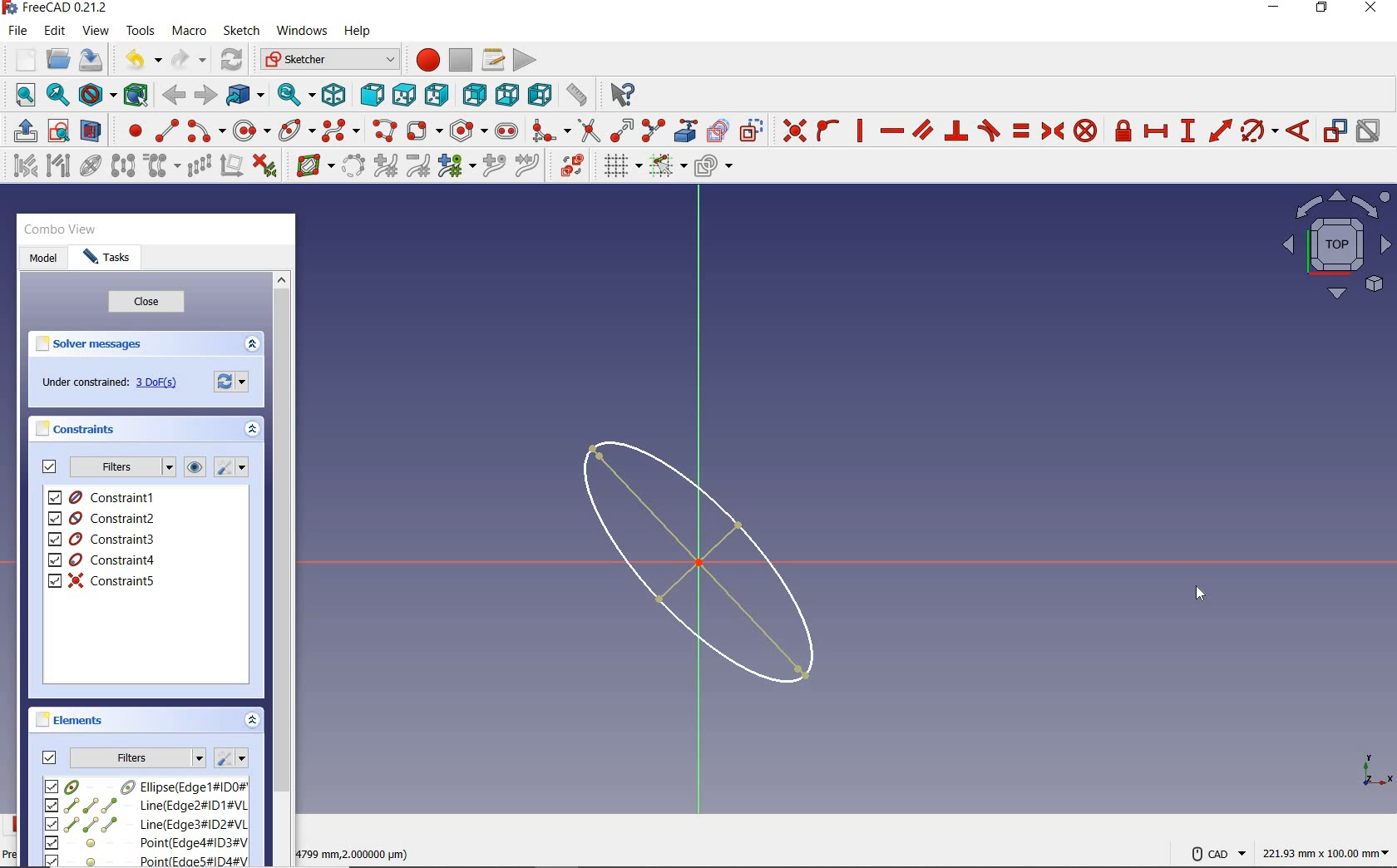  Describe the element at coordinates (72, 719) in the screenshot. I see `elements` at that location.